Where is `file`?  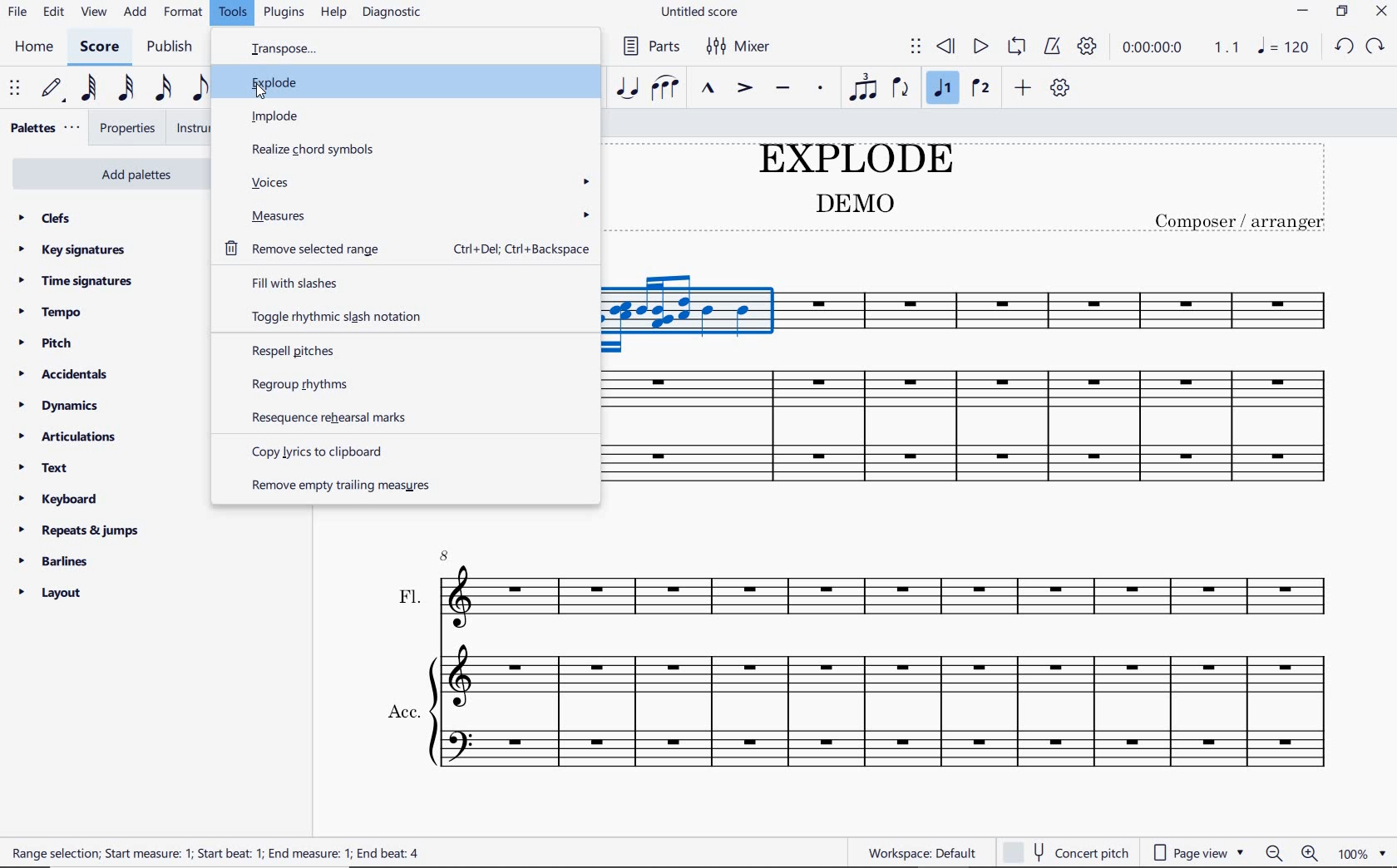
file is located at coordinates (16, 12).